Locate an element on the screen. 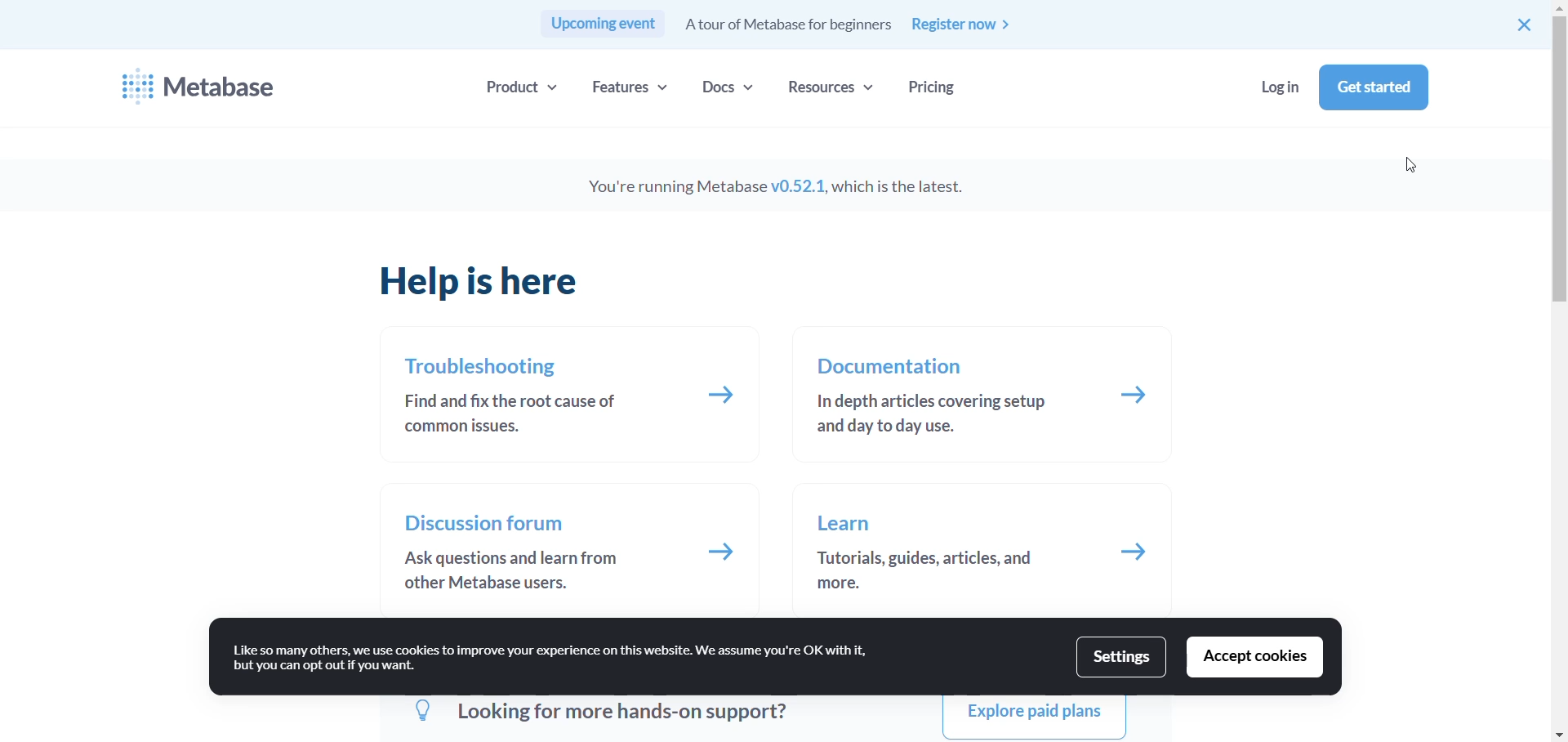 The width and height of the screenshot is (1568, 742). close is located at coordinates (1526, 25).